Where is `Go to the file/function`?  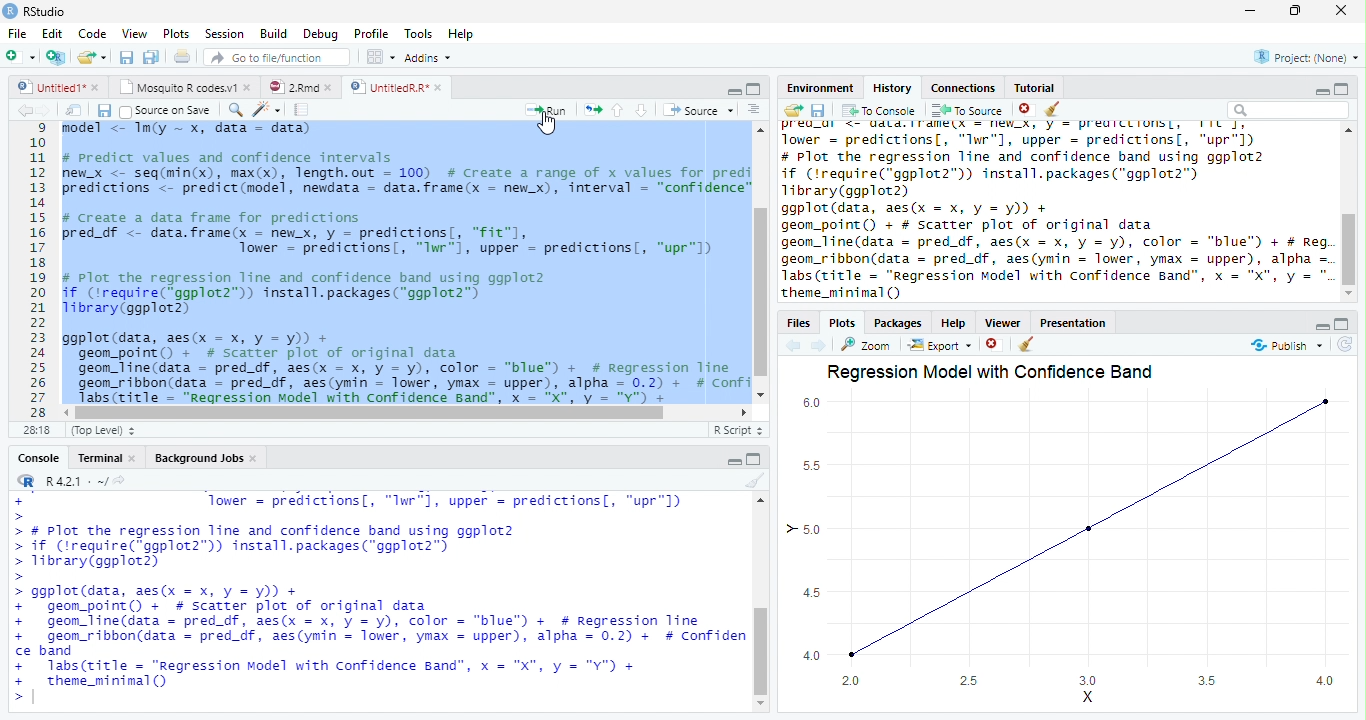 Go to the file/function is located at coordinates (278, 58).